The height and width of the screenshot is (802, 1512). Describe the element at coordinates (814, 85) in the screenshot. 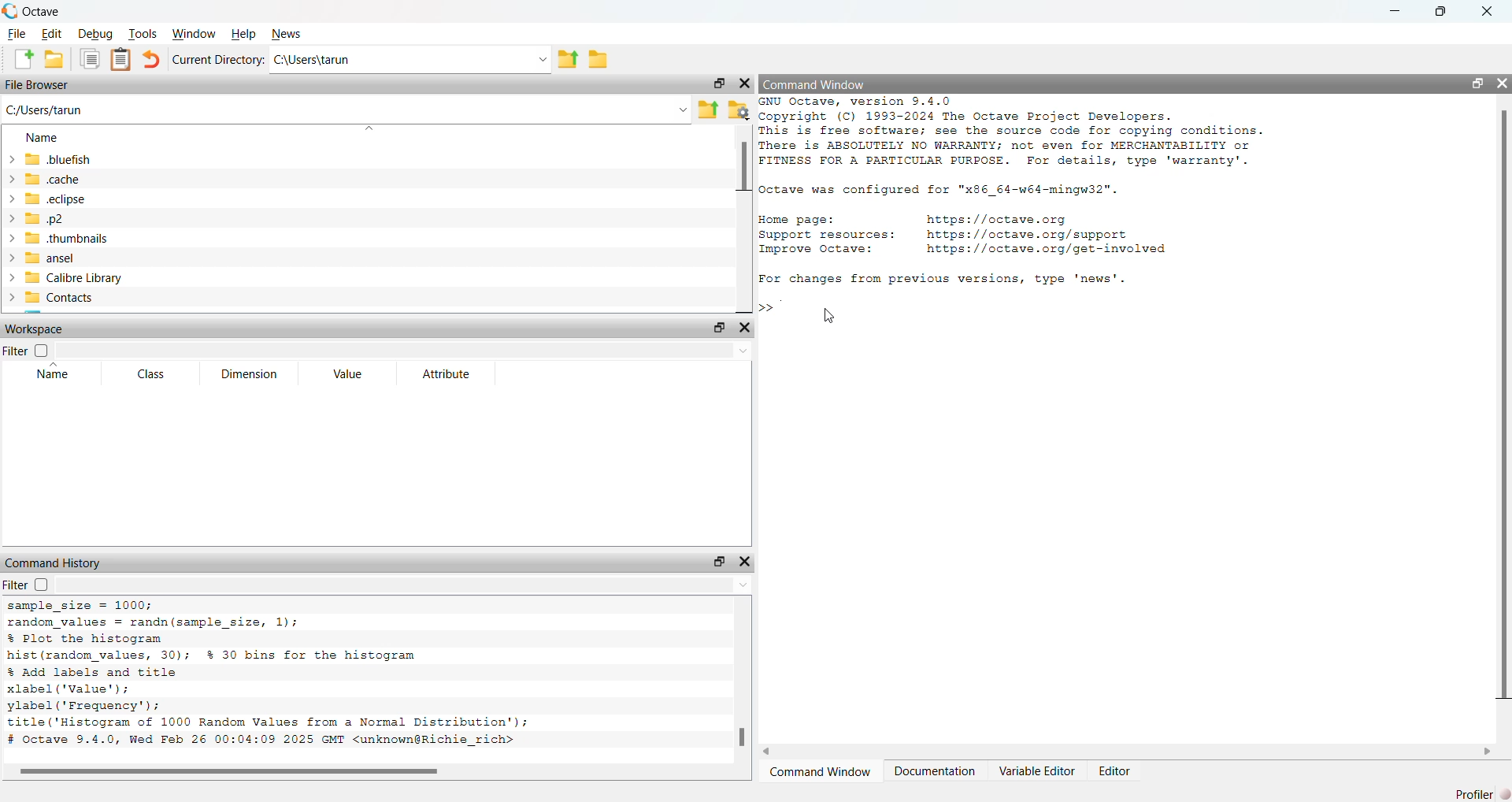

I see `Command Window` at that location.